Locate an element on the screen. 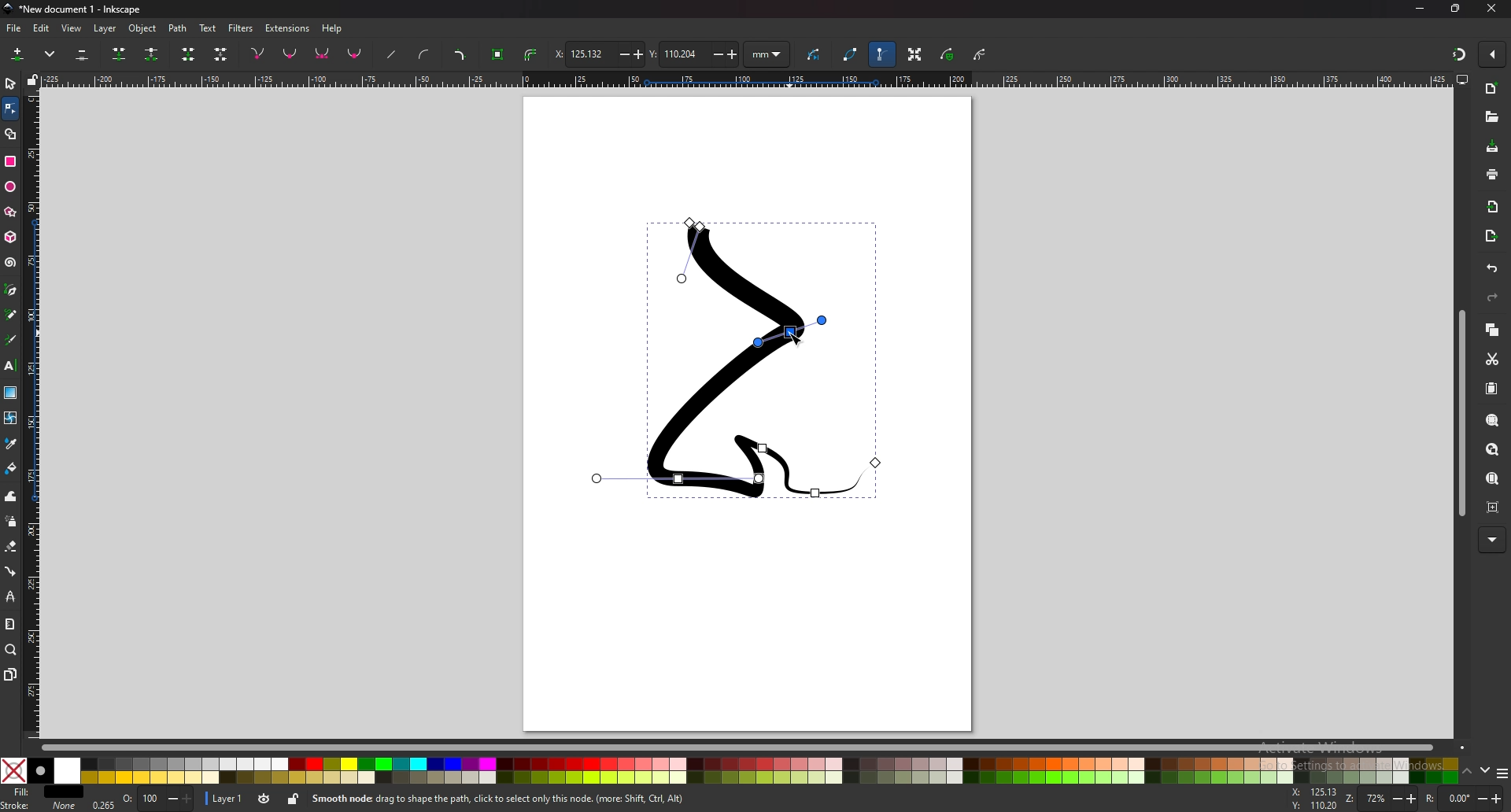  filters is located at coordinates (242, 27).